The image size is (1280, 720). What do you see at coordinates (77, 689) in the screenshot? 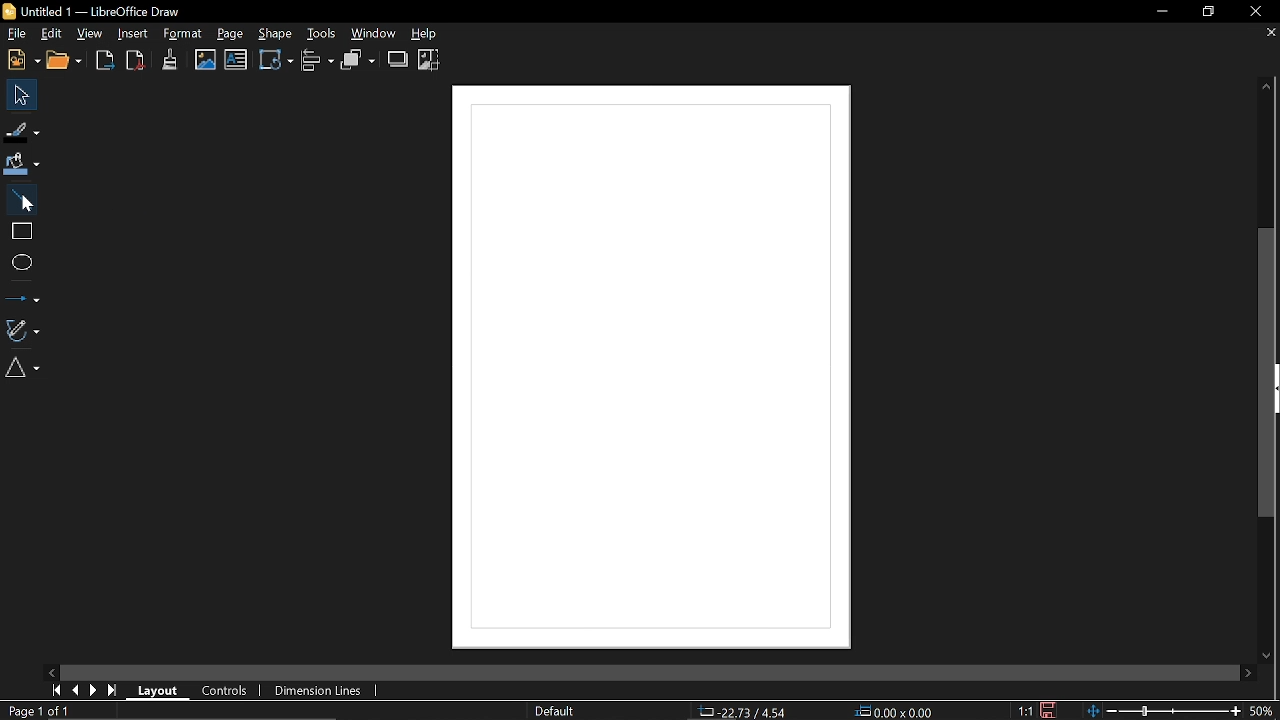
I see `Previous page` at bounding box center [77, 689].